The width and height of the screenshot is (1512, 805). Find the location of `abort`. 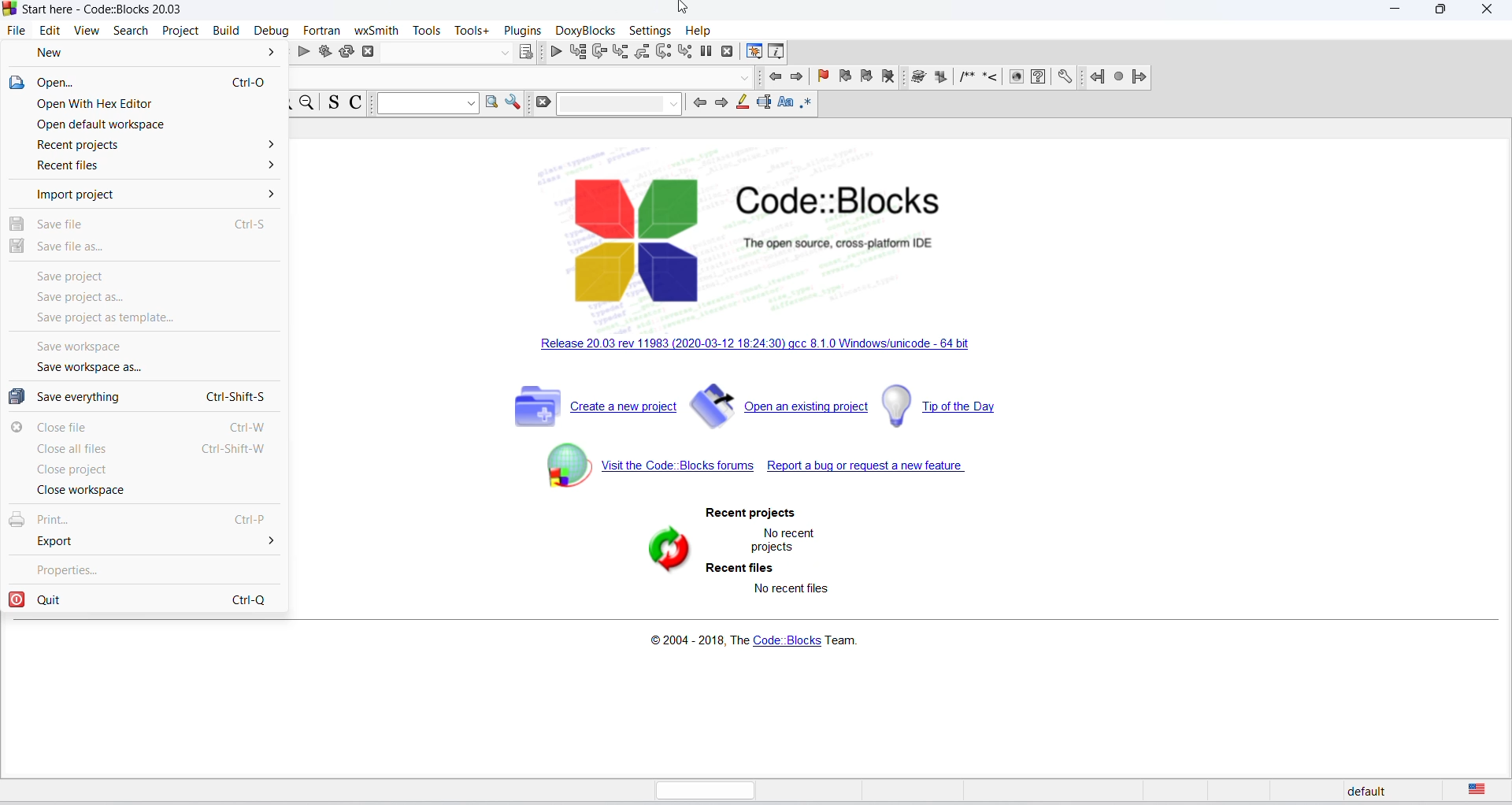

abort is located at coordinates (372, 53).